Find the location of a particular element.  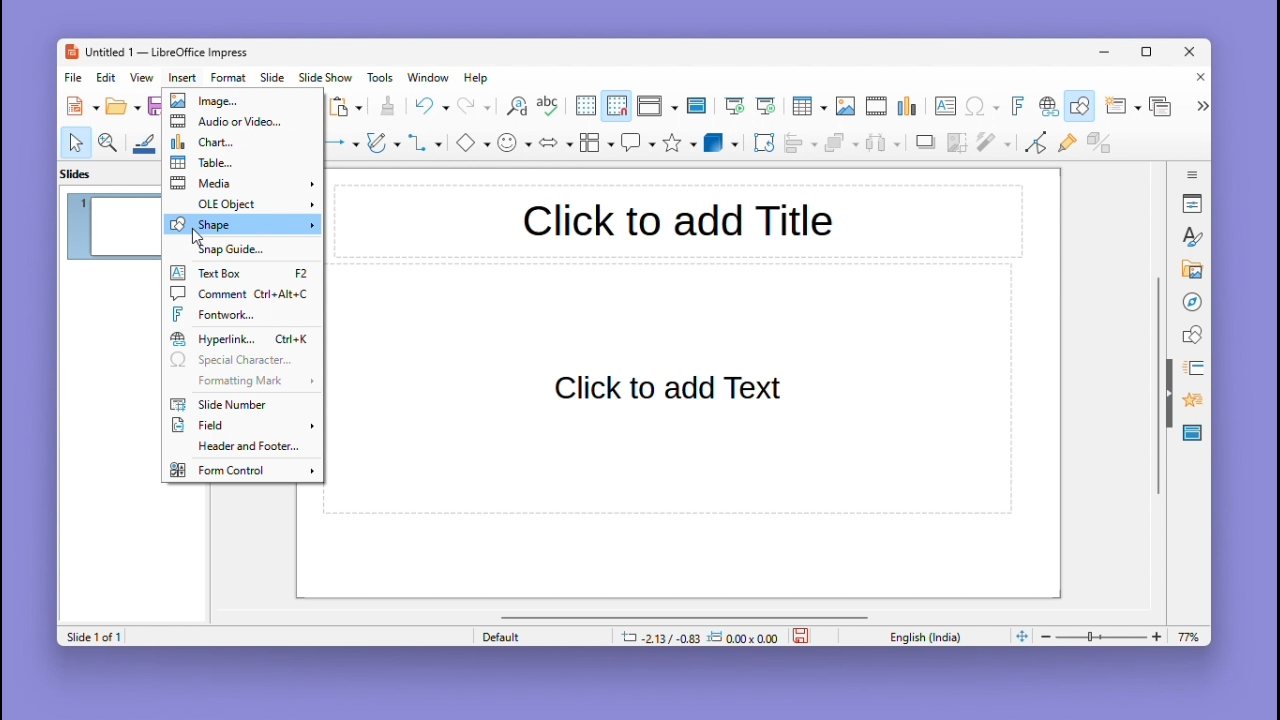

Table is located at coordinates (809, 107).